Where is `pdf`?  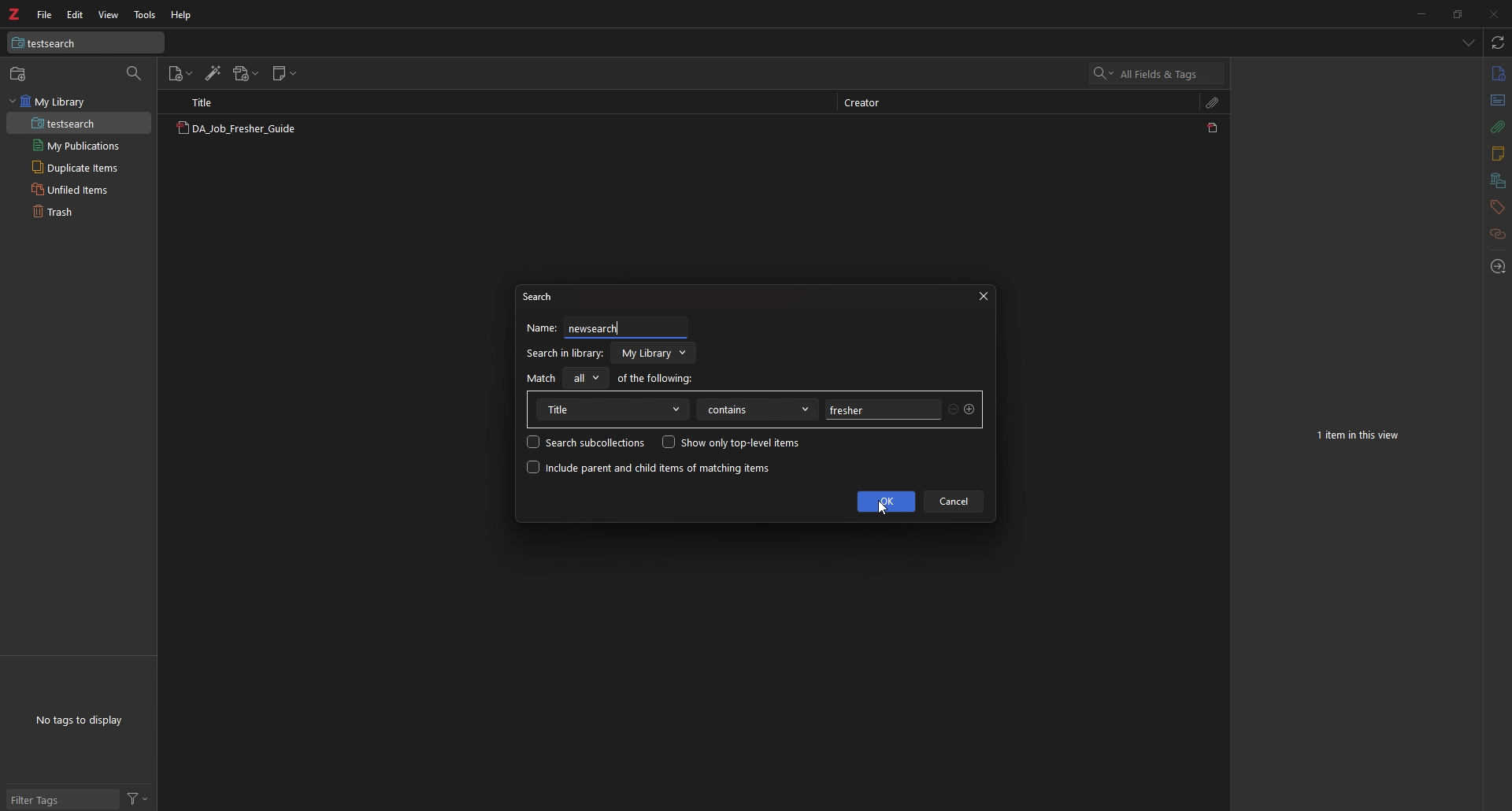 pdf is located at coordinates (1214, 128).